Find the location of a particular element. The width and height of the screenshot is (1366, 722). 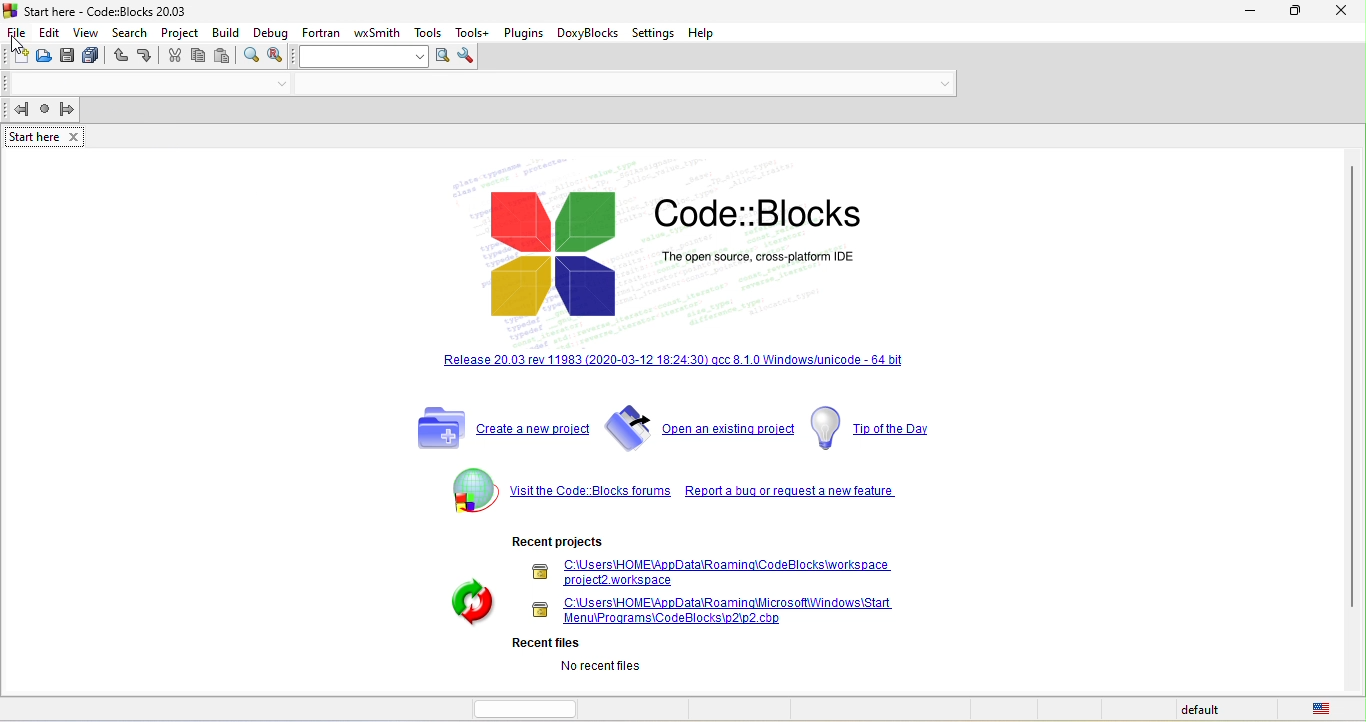

fortran is located at coordinates (321, 31).